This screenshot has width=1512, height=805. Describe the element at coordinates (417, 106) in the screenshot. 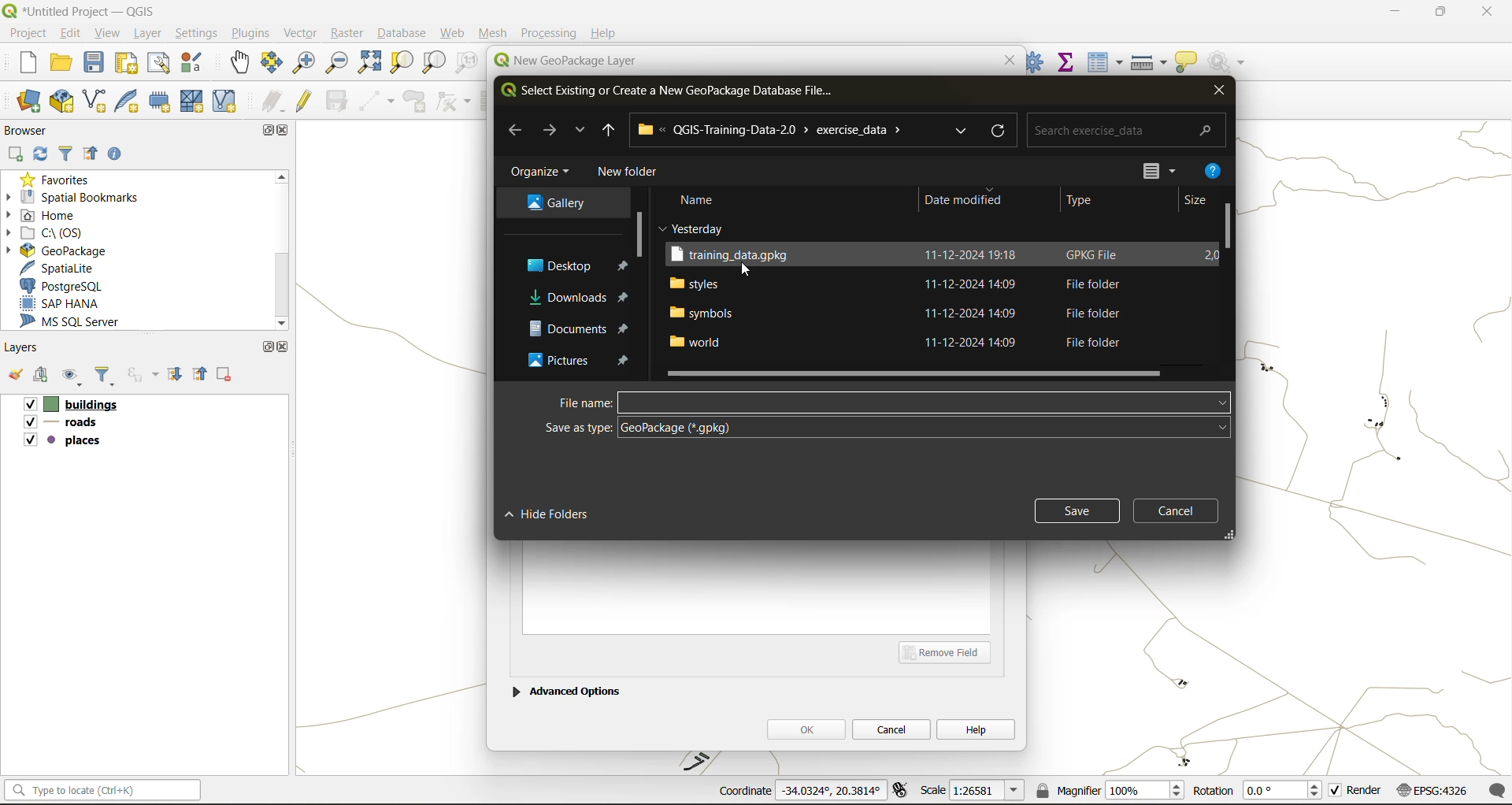

I see `add polygon` at that location.